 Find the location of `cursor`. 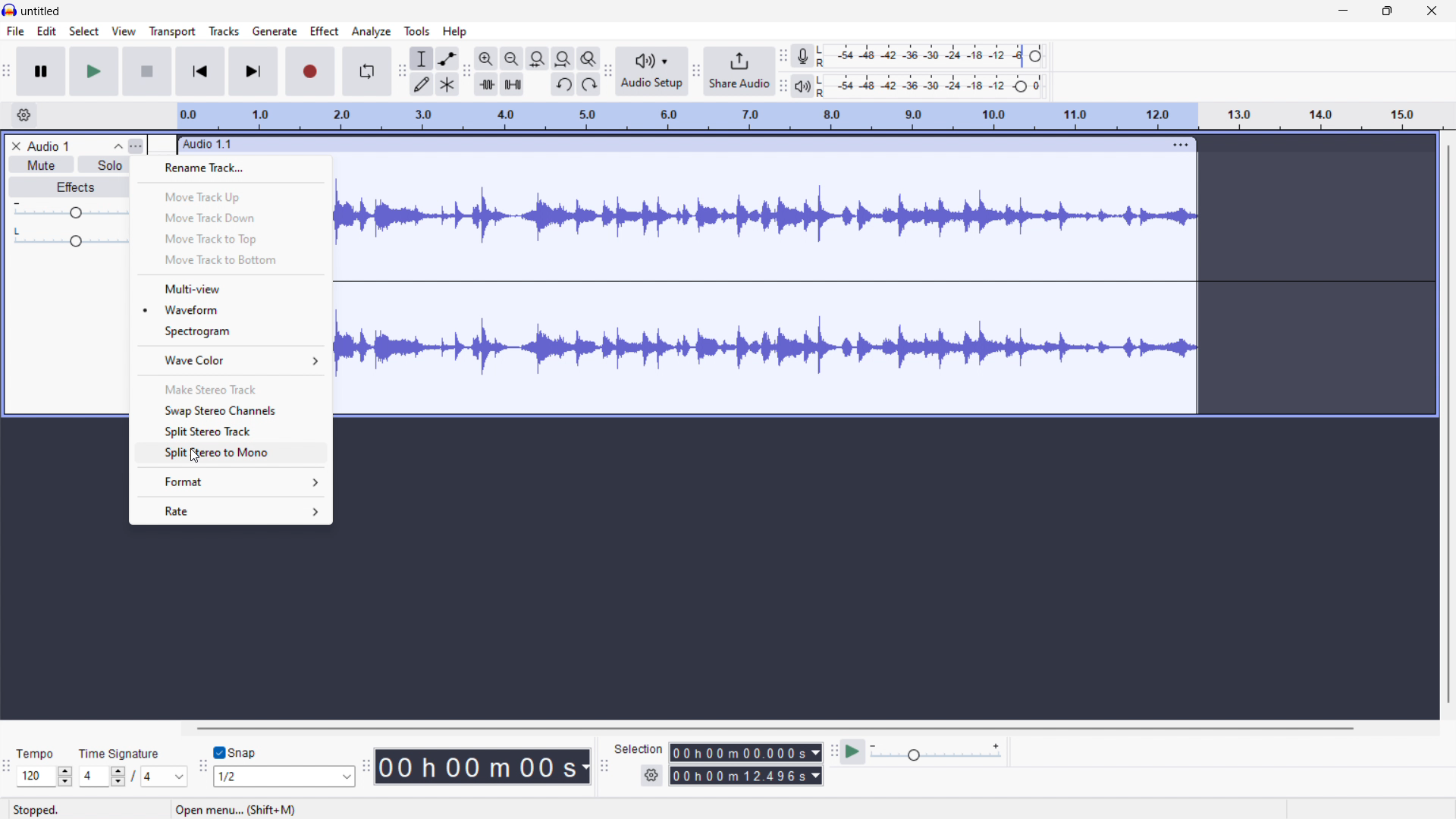

cursor is located at coordinates (194, 453).